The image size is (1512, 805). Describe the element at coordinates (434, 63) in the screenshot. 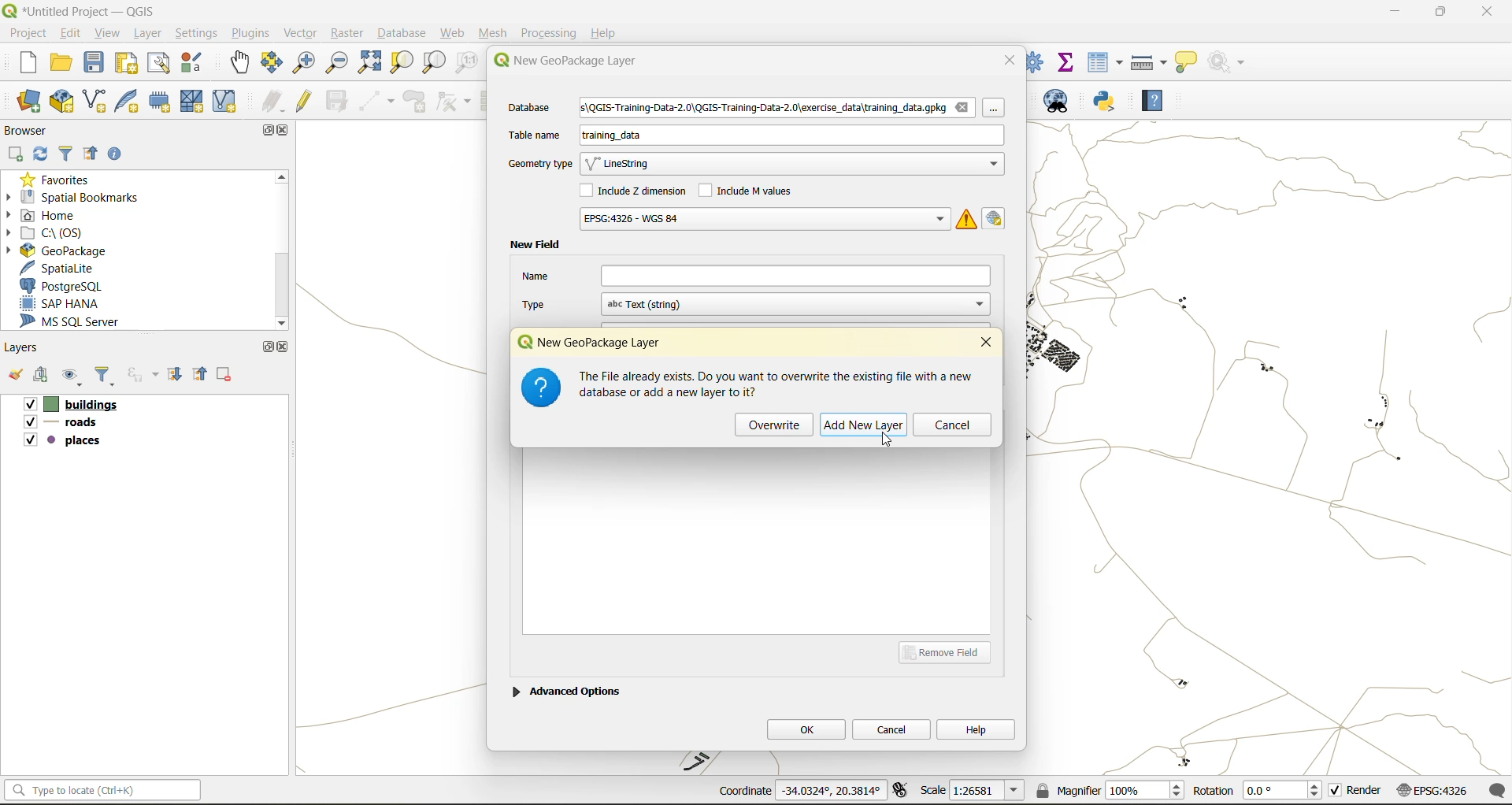

I see `zoom layer` at that location.